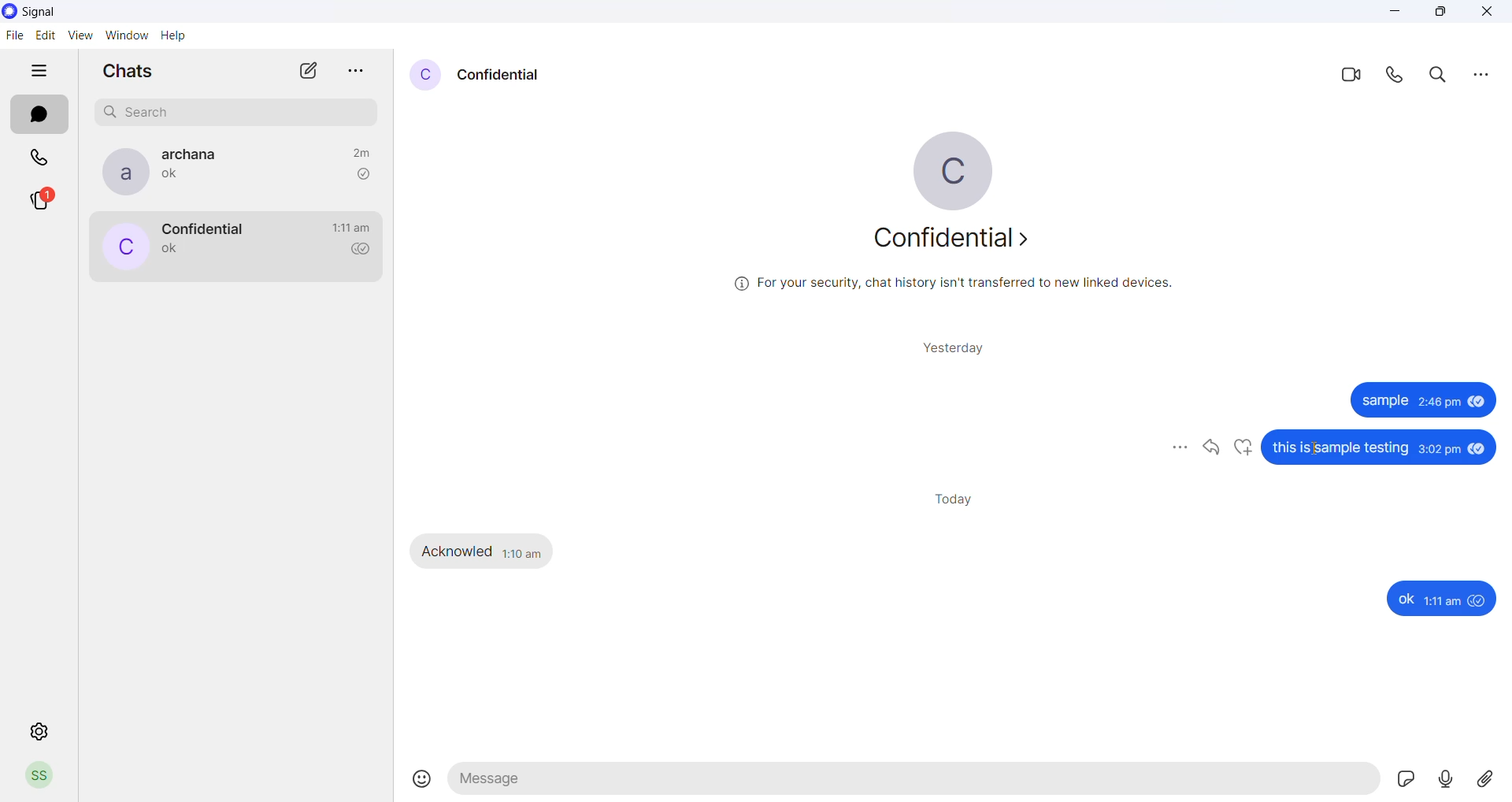 Image resolution: width=1512 pixels, height=802 pixels. What do you see at coordinates (39, 732) in the screenshot?
I see `settings` at bounding box center [39, 732].